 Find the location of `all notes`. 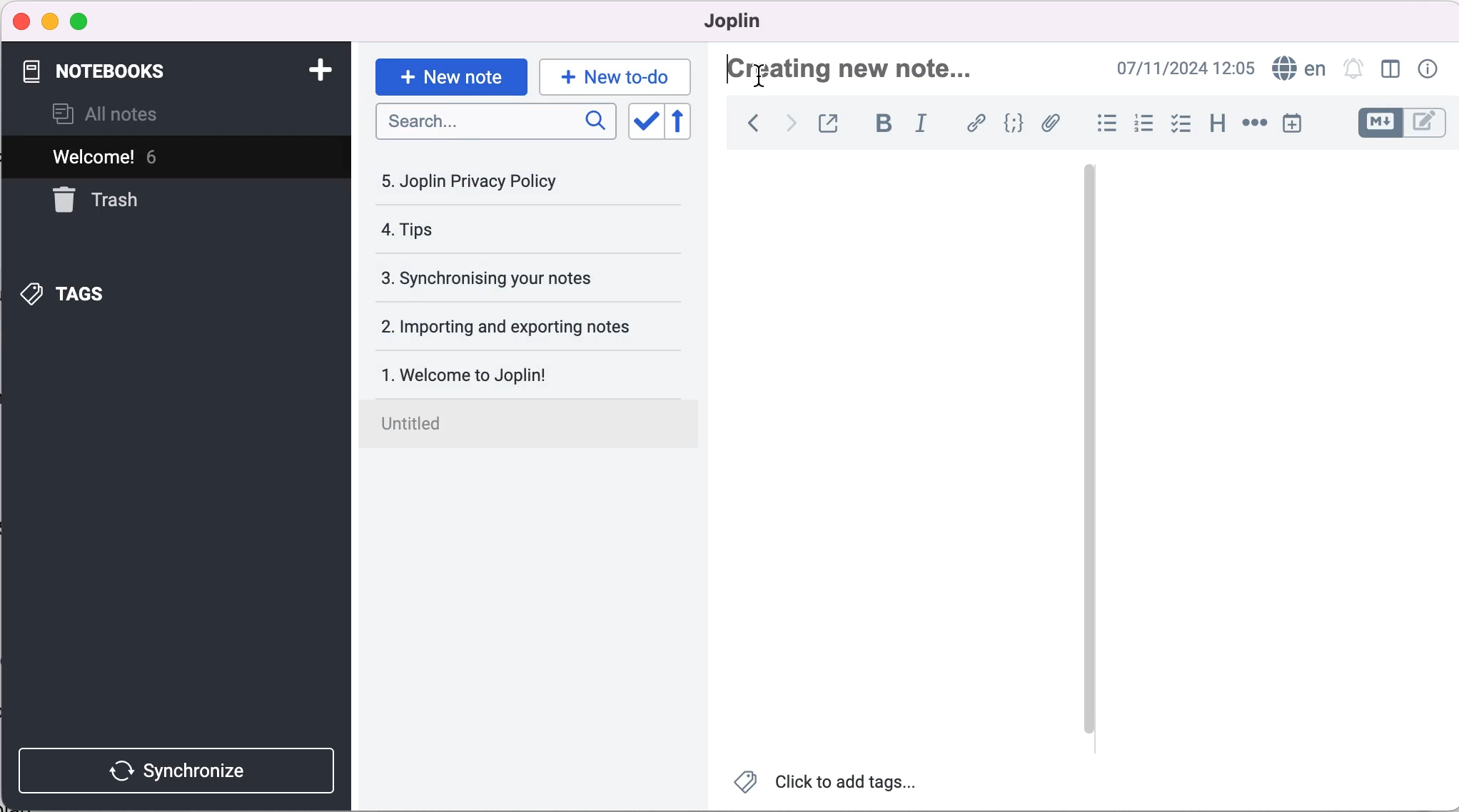

all notes is located at coordinates (118, 116).